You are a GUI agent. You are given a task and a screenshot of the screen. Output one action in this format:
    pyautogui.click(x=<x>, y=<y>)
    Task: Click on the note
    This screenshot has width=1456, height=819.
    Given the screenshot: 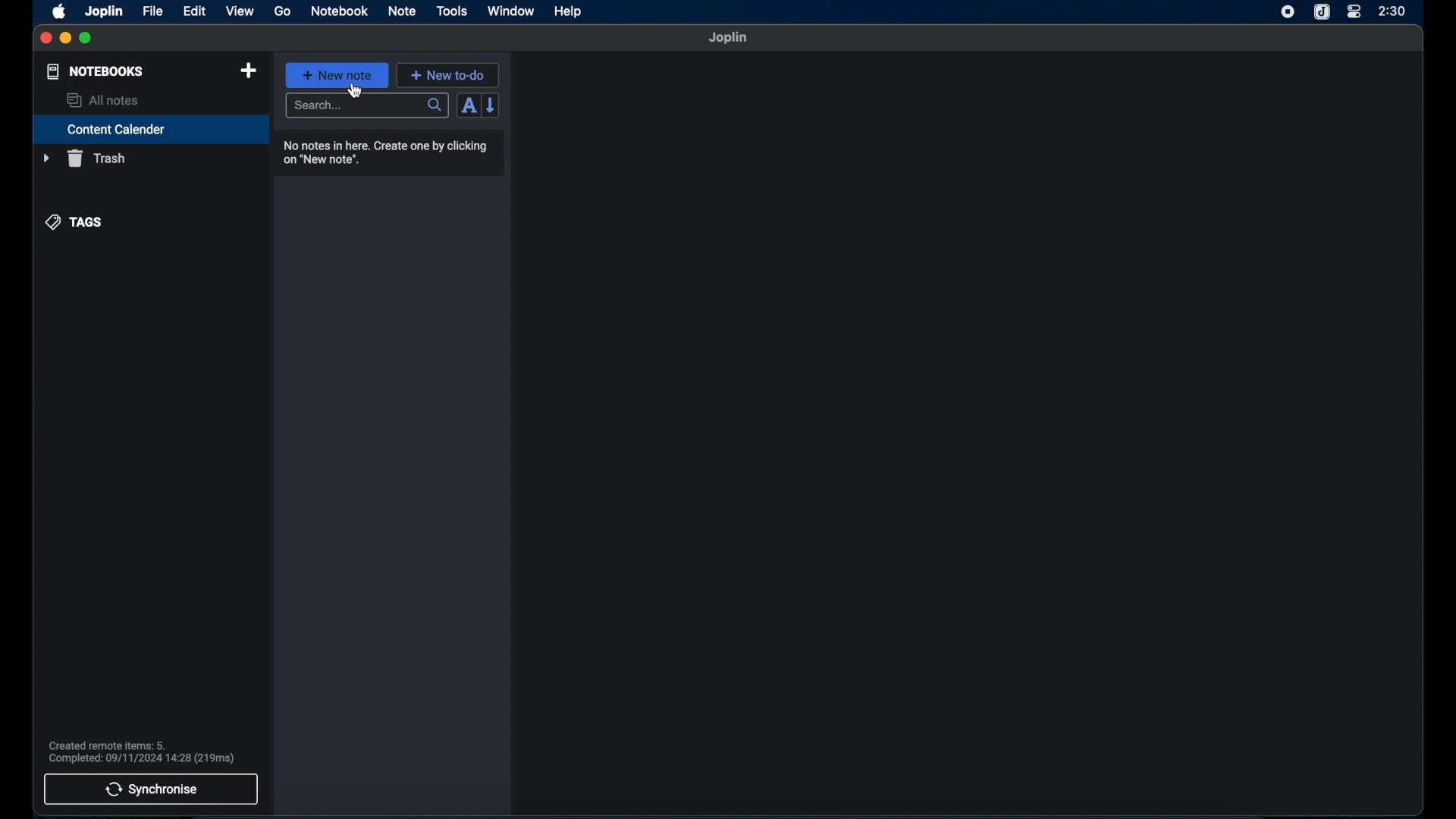 What is the action you would take?
    pyautogui.click(x=402, y=12)
    